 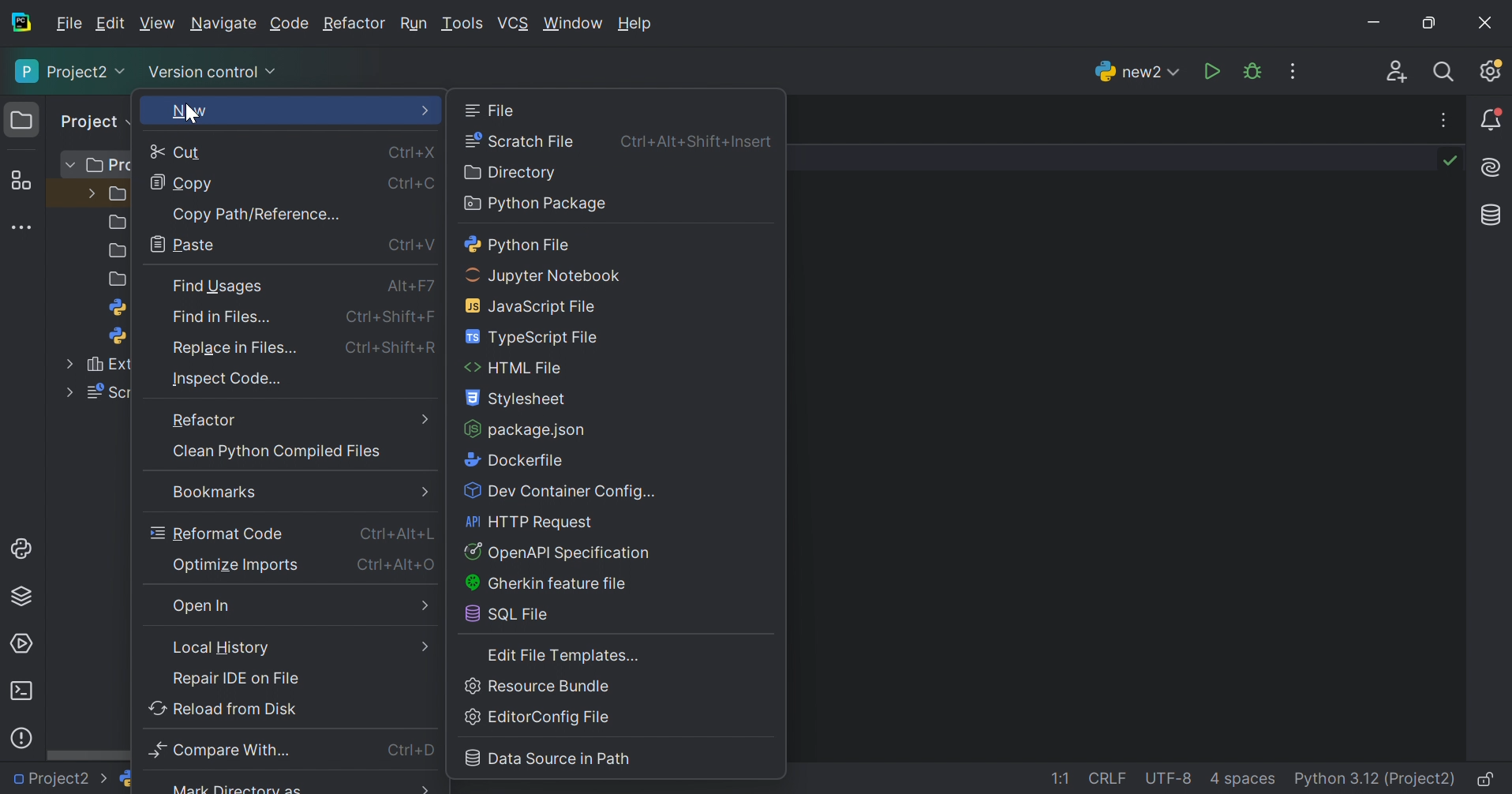 I want to click on More, so click(x=424, y=491).